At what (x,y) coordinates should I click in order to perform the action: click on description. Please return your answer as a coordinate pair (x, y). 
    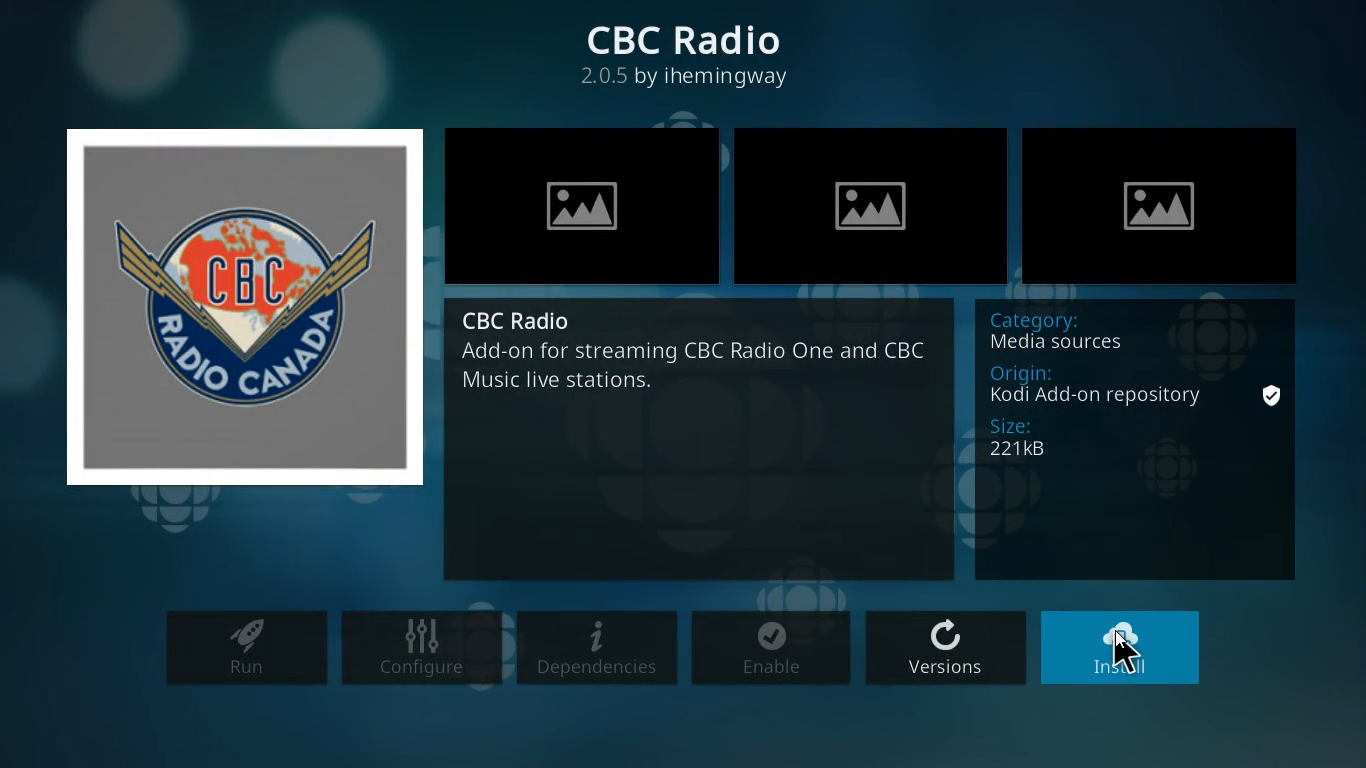
    Looking at the image, I should click on (698, 372).